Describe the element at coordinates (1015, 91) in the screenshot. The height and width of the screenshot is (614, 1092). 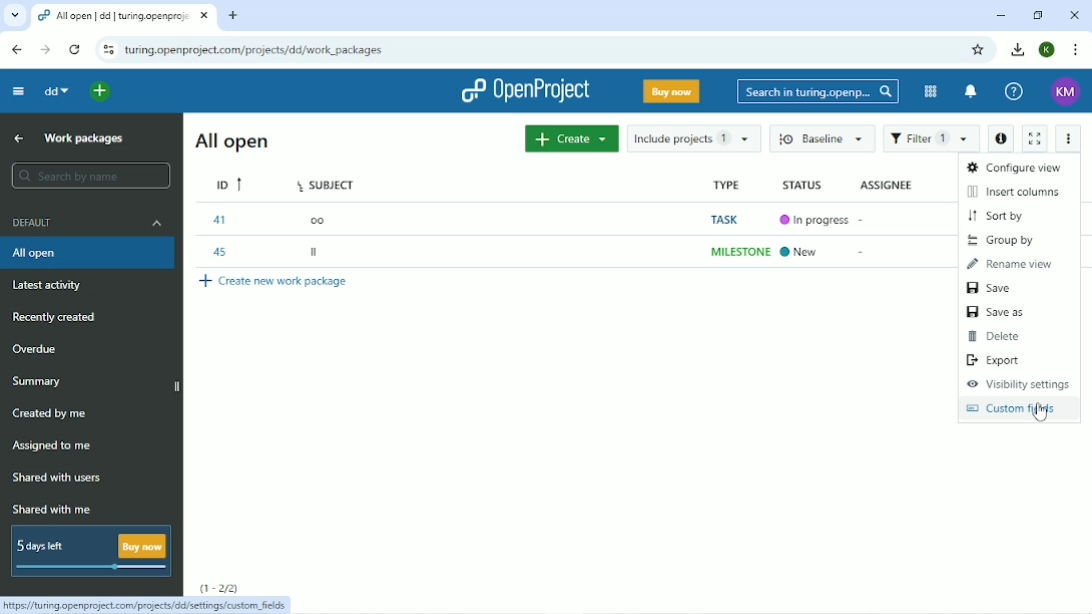
I see `Help` at that location.